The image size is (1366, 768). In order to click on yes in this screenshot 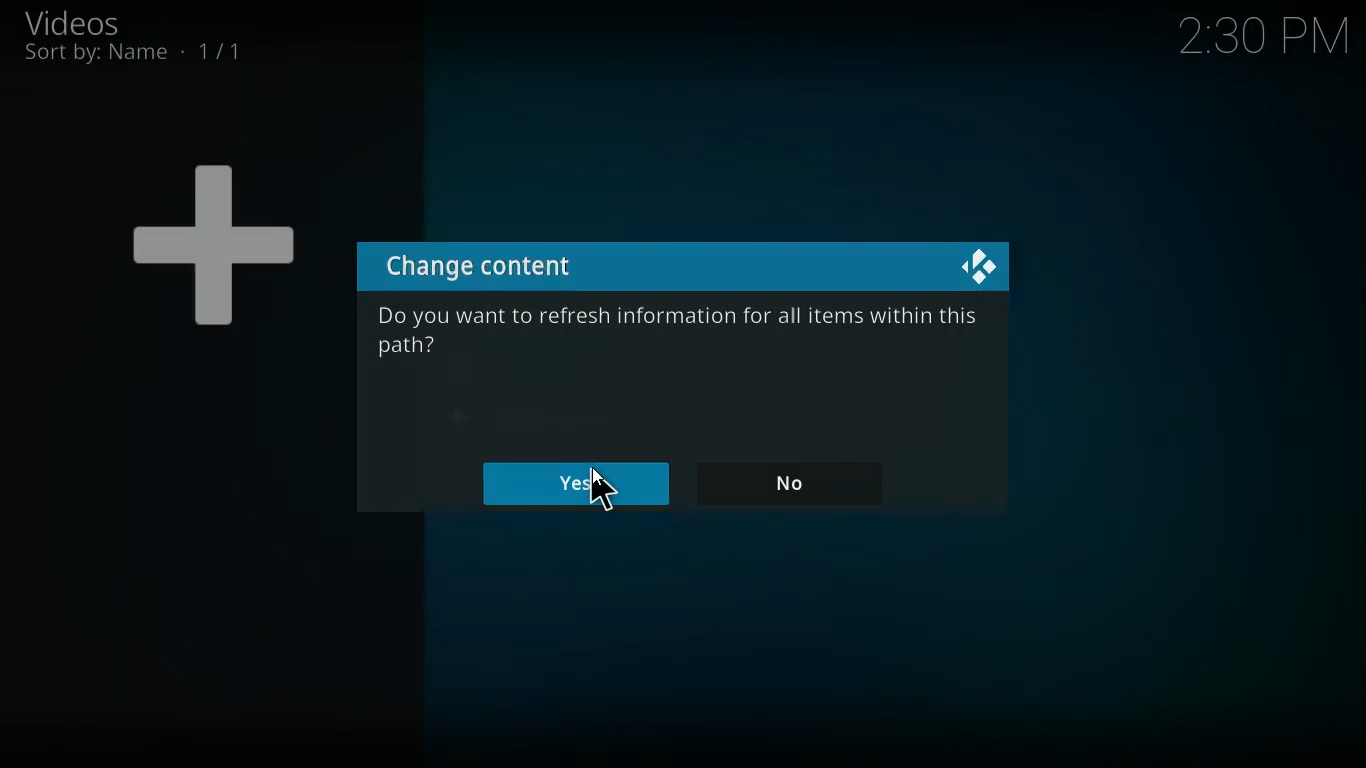, I will do `click(577, 484)`.